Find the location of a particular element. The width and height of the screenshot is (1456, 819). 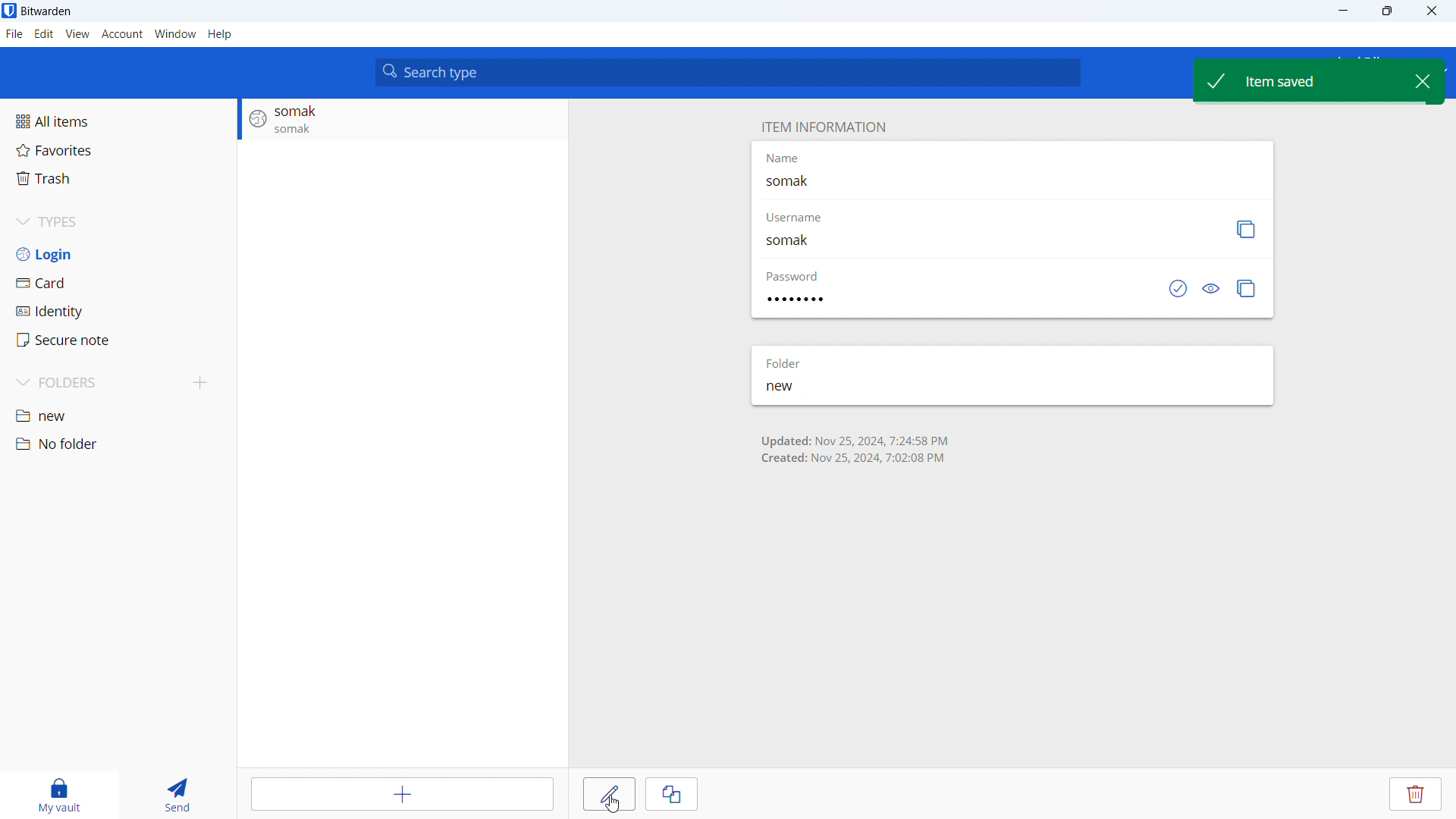

minimize is located at coordinates (1341, 11).